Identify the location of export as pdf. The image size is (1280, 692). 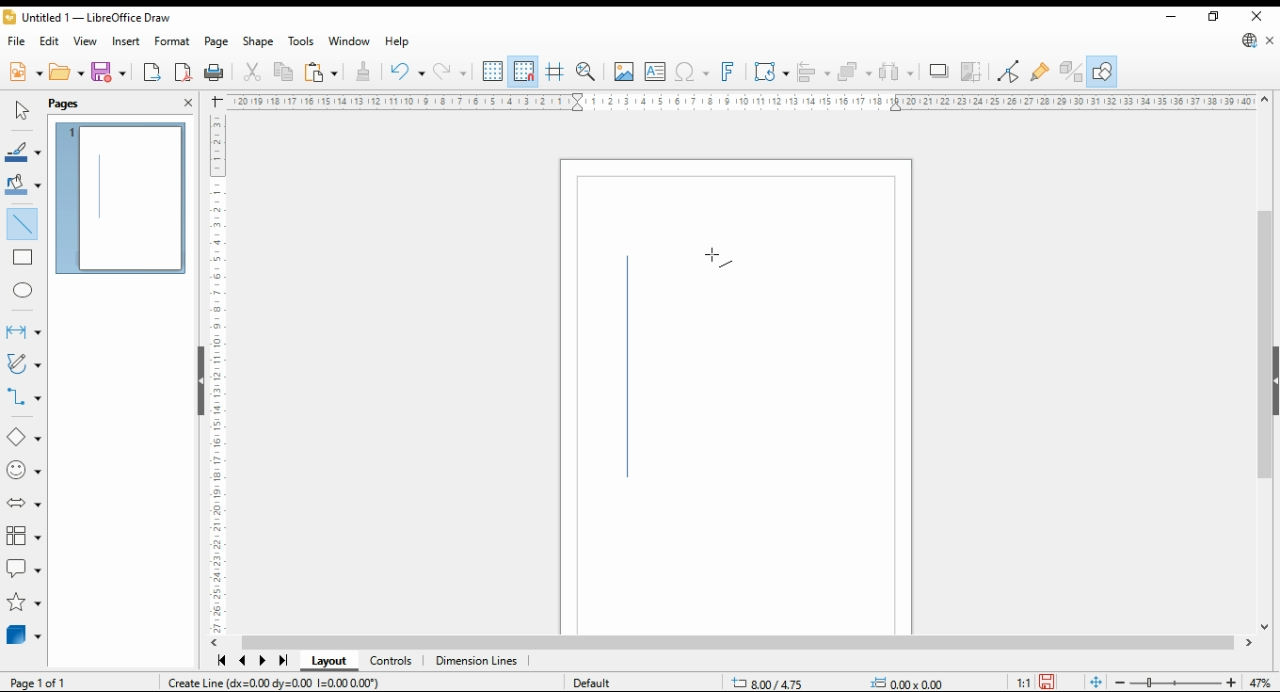
(183, 72).